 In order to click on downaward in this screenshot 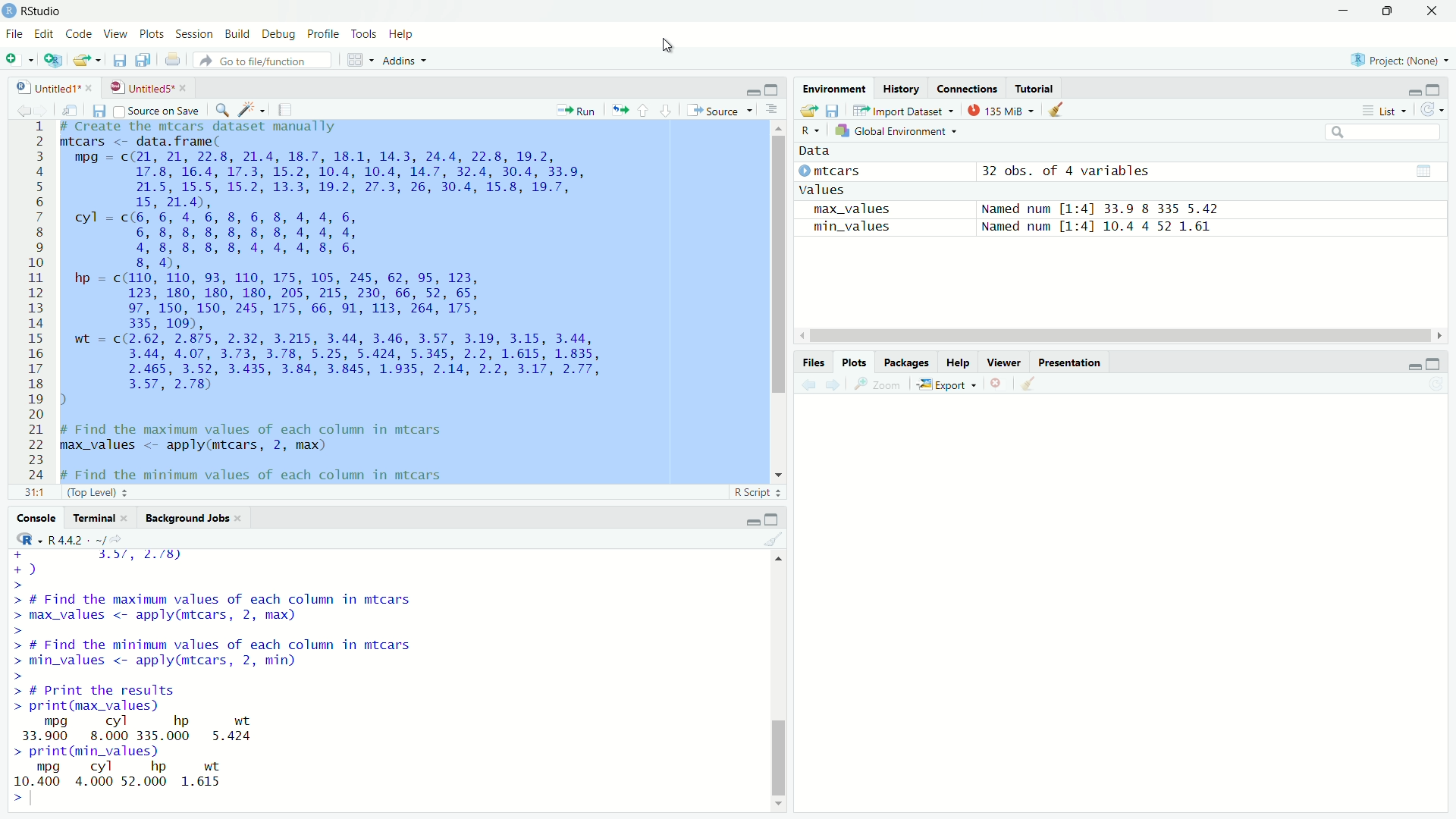, I will do `click(669, 110)`.